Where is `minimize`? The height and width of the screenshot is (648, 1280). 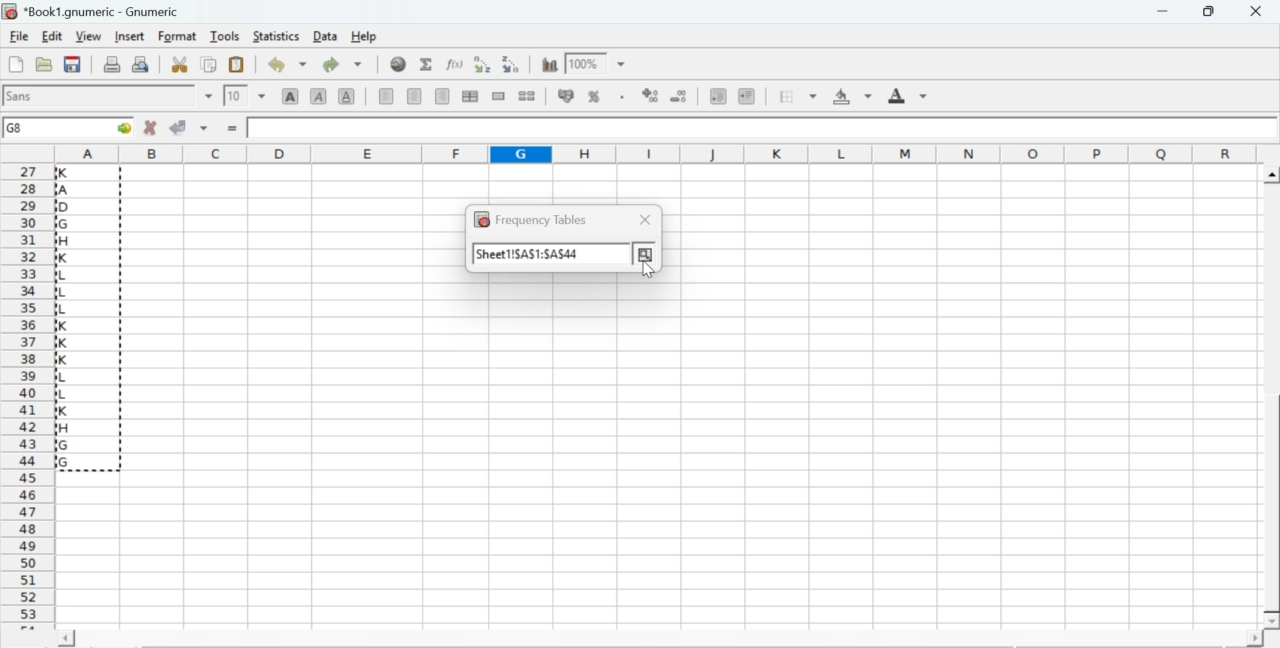 minimize is located at coordinates (1164, 11).